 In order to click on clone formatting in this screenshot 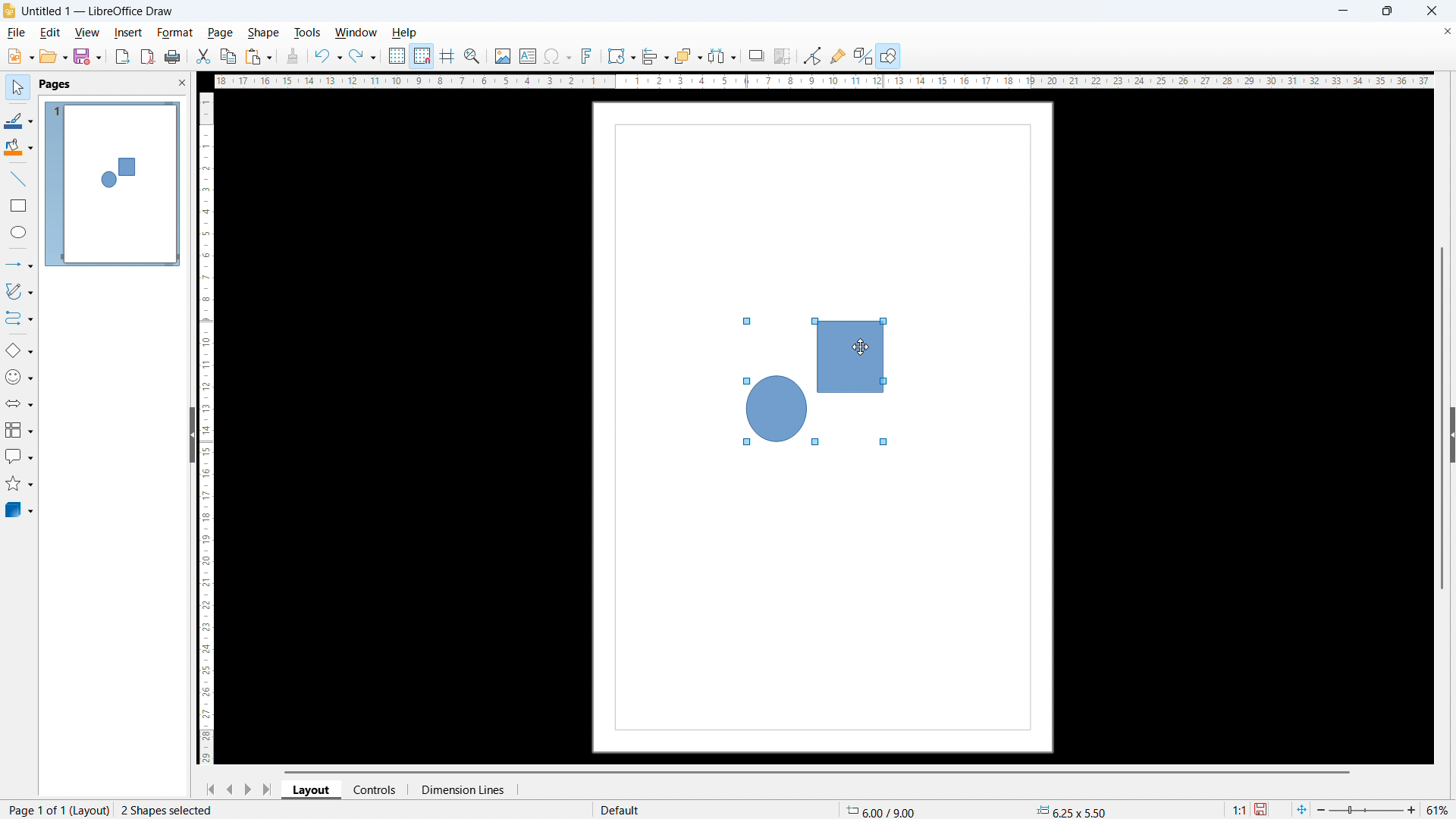, I will do `click(293, 56)`.